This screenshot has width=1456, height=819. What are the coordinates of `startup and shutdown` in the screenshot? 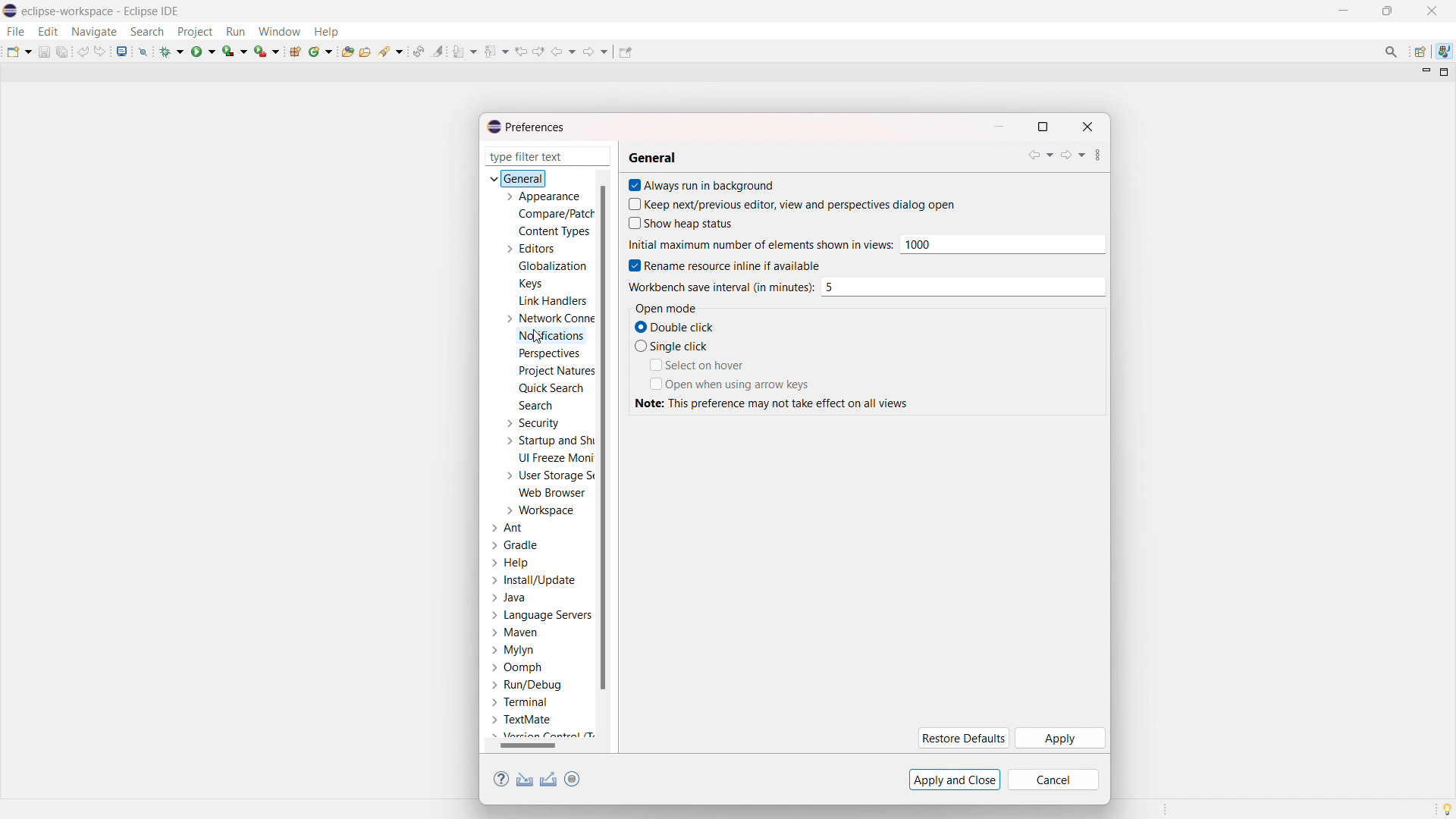 It's located at (548, 441).